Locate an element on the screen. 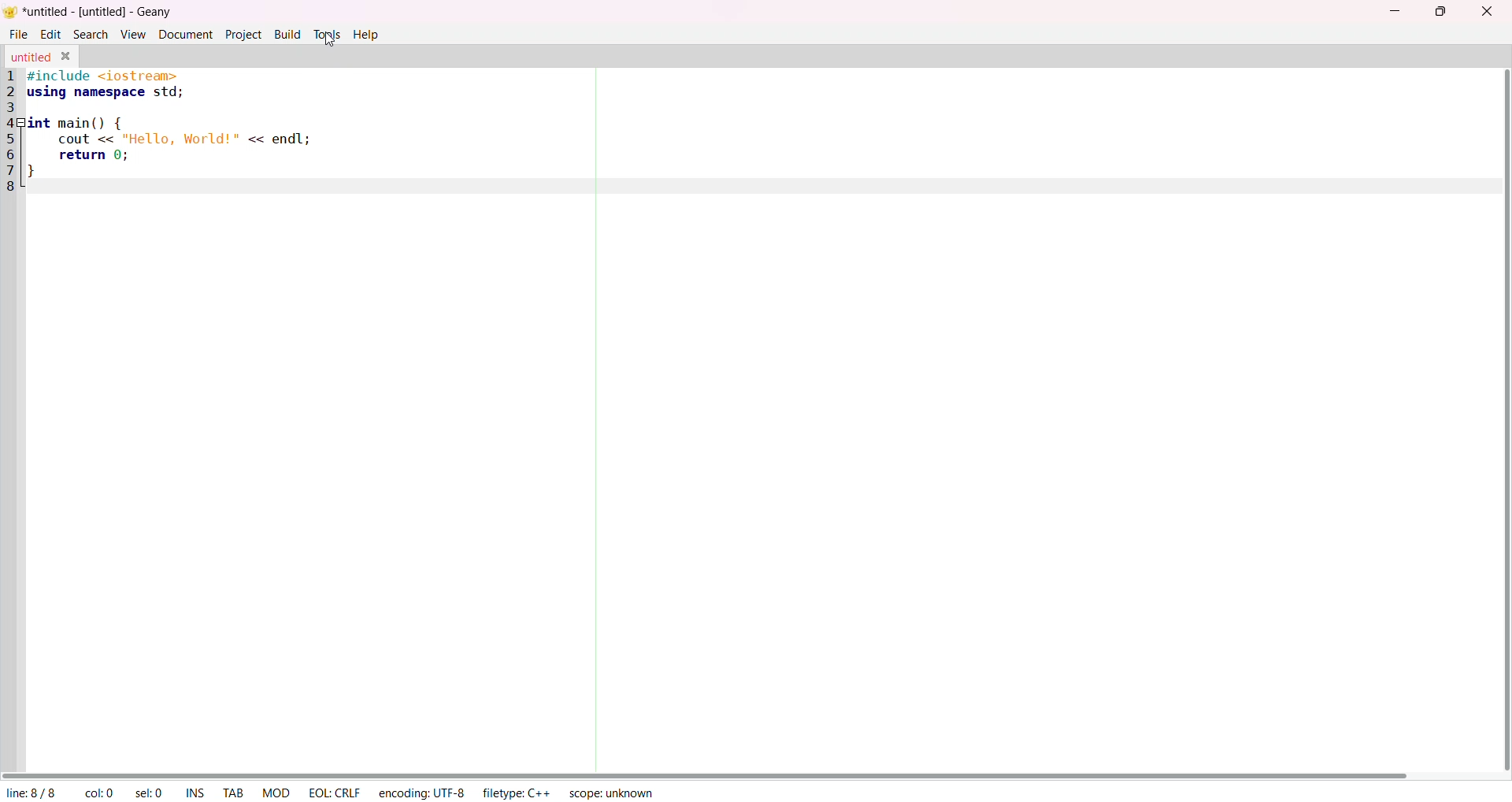 The height and width of the screenshot is (802, 1512). scope: unknown is located at coordinates (610, 792).